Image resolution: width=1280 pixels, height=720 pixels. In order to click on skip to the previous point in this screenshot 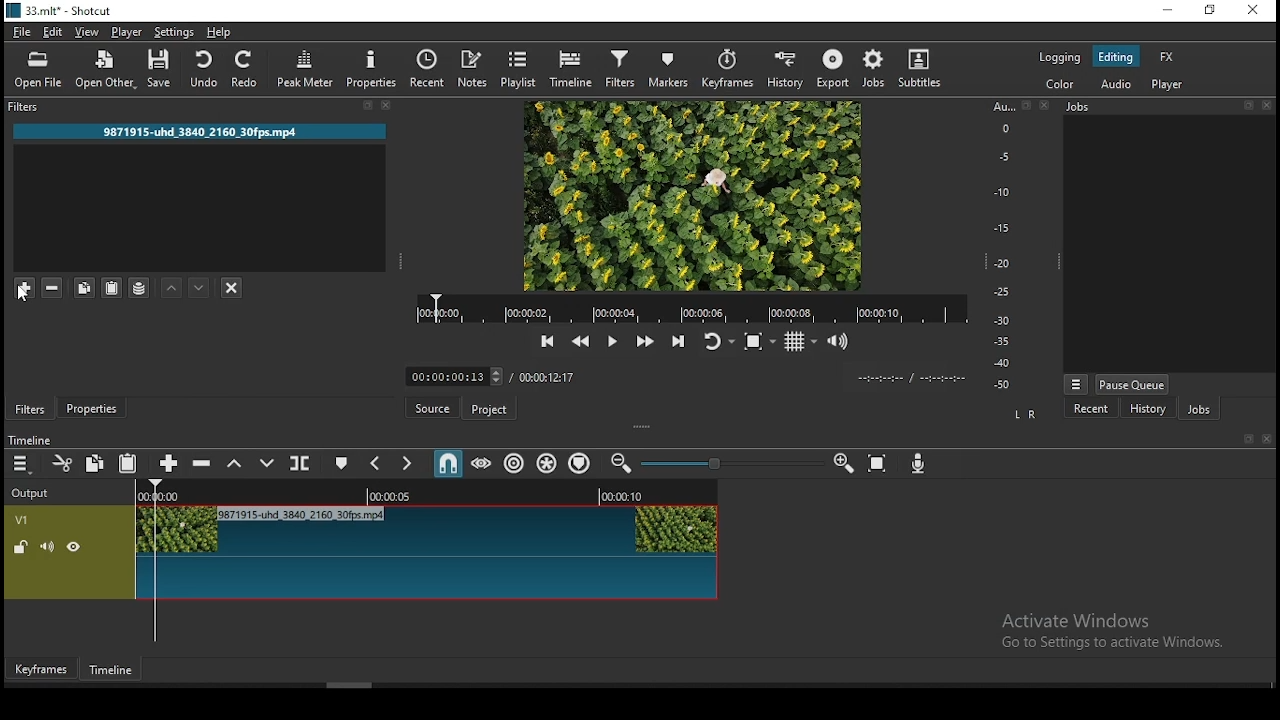, I will do `click(547, 342)`.